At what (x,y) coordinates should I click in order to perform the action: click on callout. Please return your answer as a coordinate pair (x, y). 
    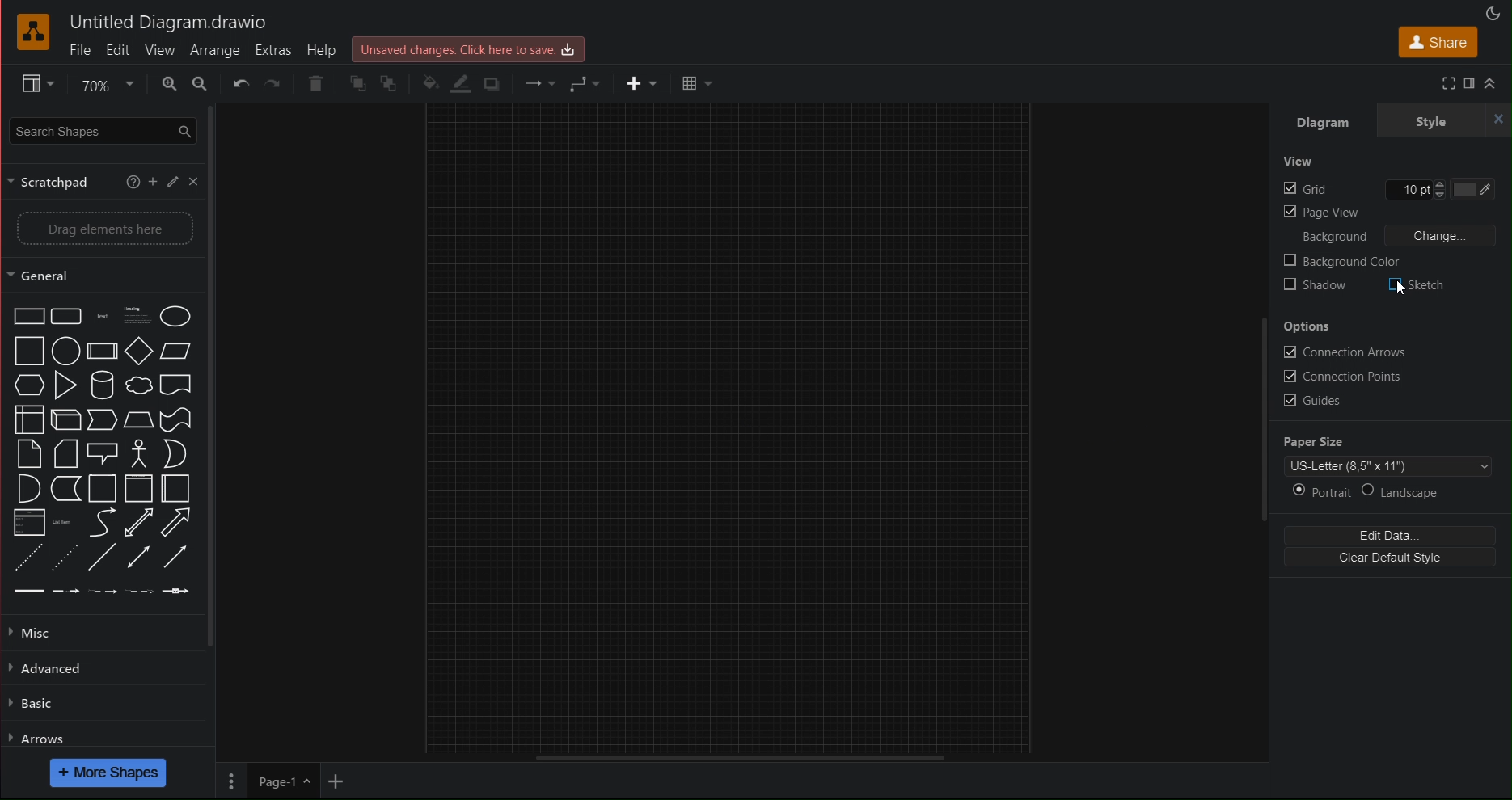
    Looking at the image, I should click on (102, 453).